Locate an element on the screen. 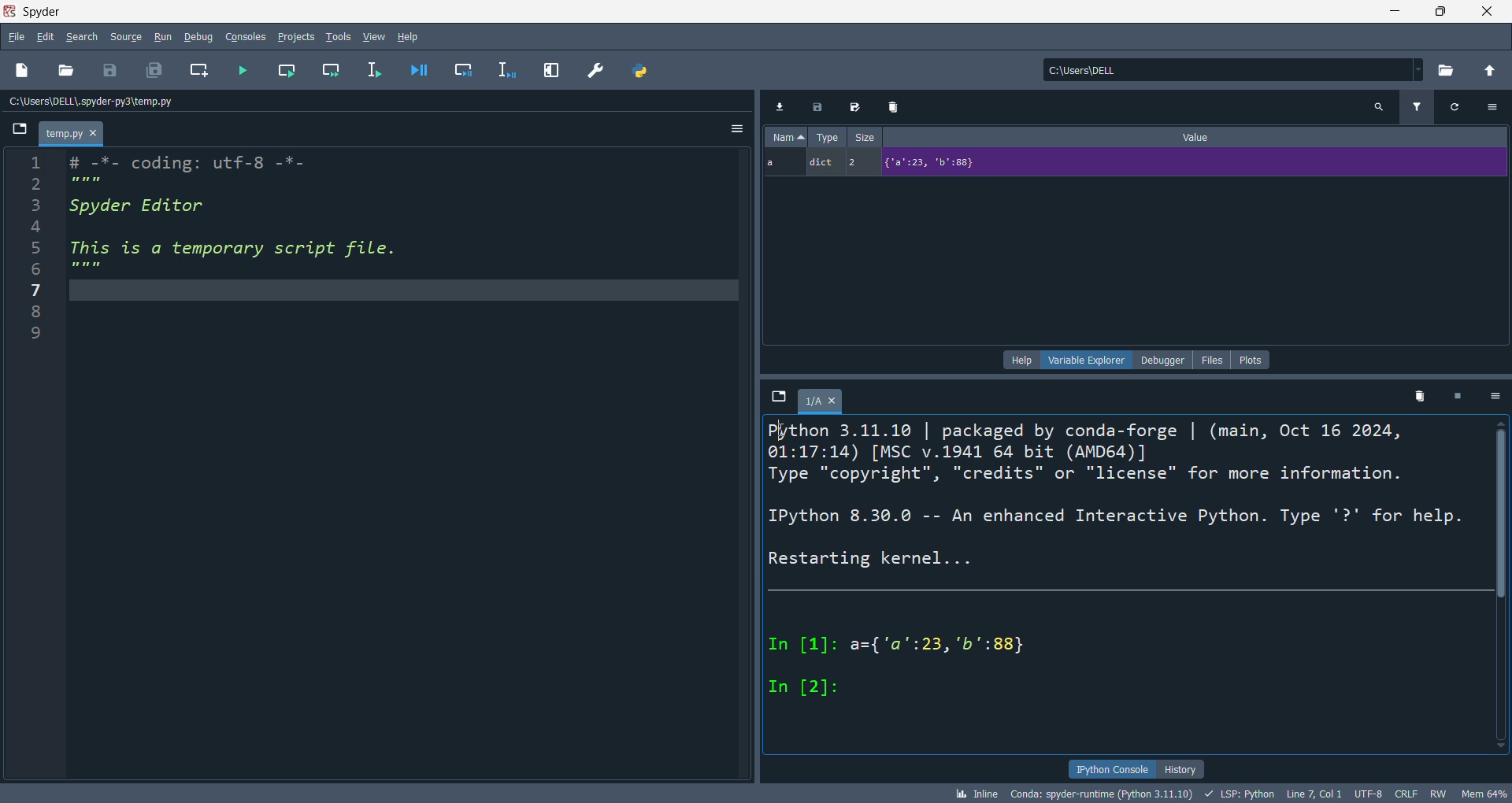  help is located at coordinates (1020, 361).